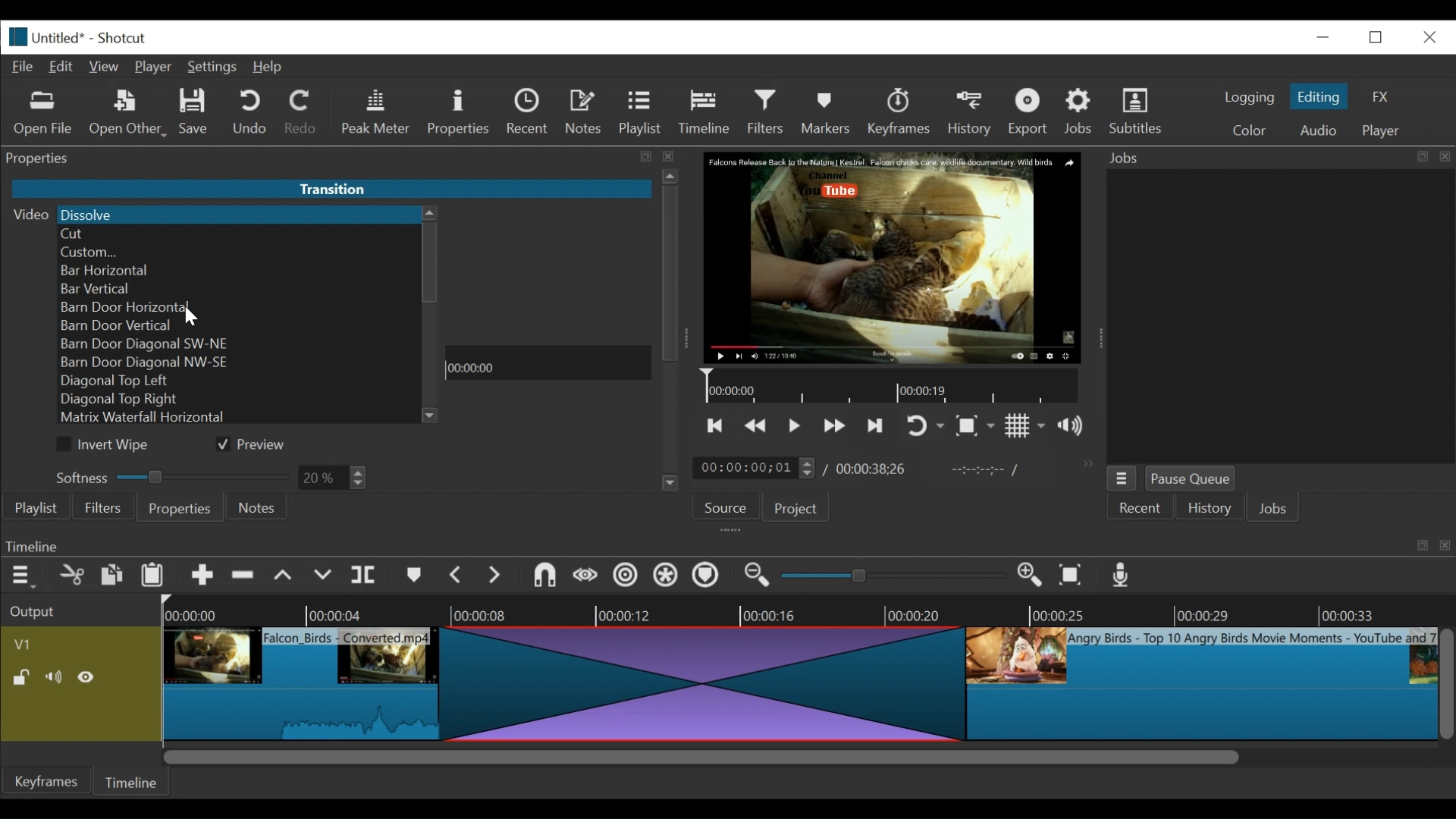  What do you see at coordinates (547, 577) in the screenshot?
I see `snap` at bounding box center [547, 577].